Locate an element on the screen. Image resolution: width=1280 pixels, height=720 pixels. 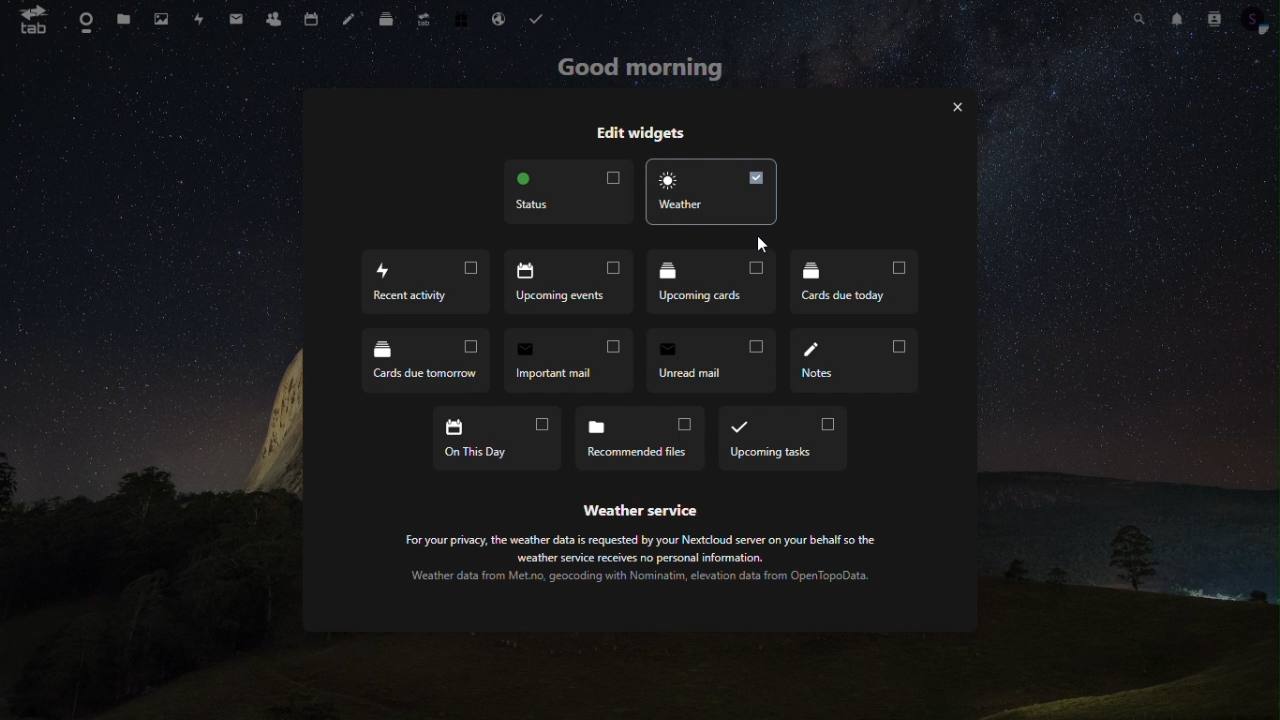
unread mail is located at coordinates (717, 361).